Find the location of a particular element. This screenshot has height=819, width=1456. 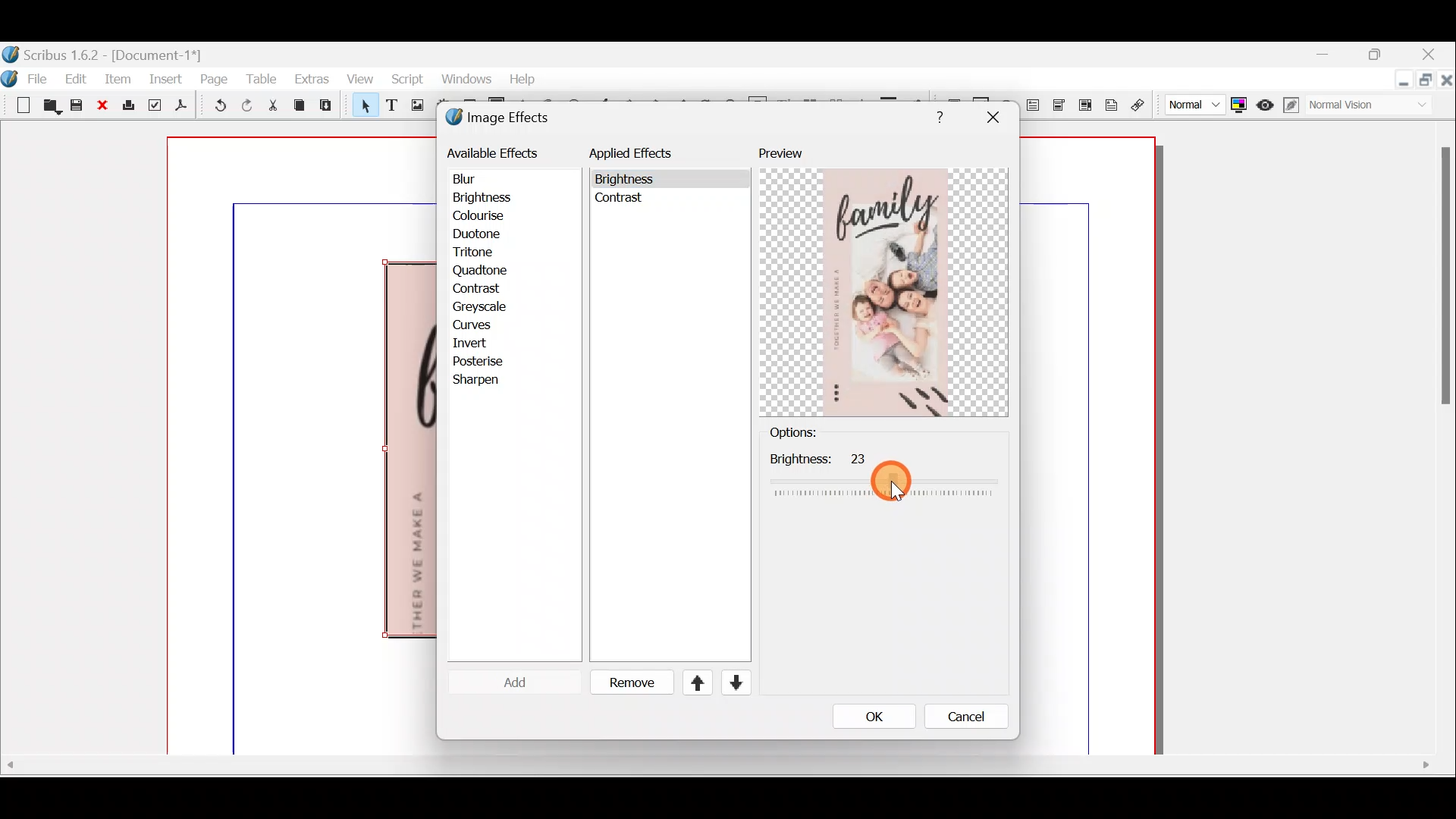

Undo is located at coordinates (216, 108).